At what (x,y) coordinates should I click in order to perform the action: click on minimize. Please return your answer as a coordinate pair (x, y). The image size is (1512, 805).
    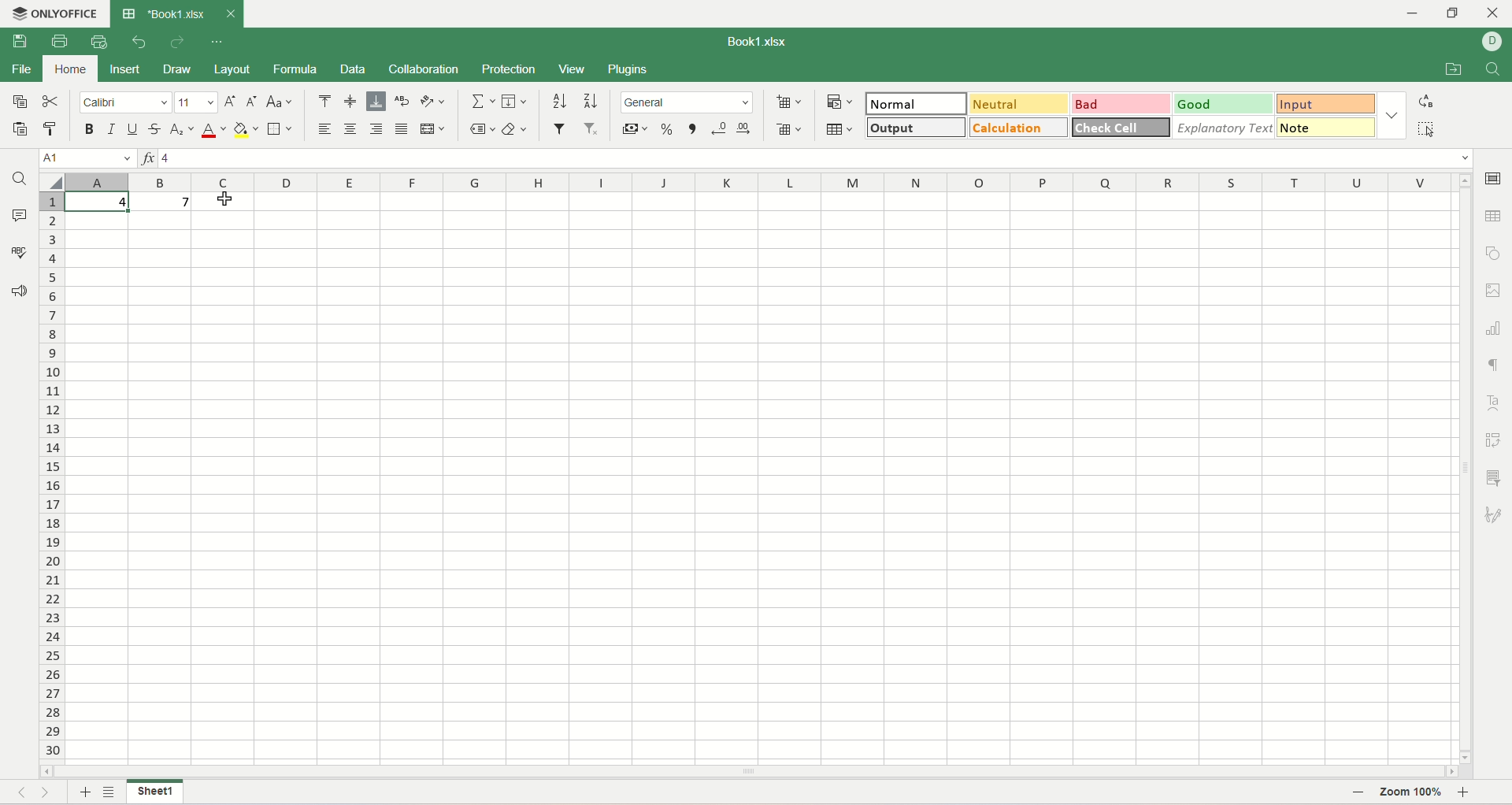
    Looking at the image, I should click on (1417, 14).